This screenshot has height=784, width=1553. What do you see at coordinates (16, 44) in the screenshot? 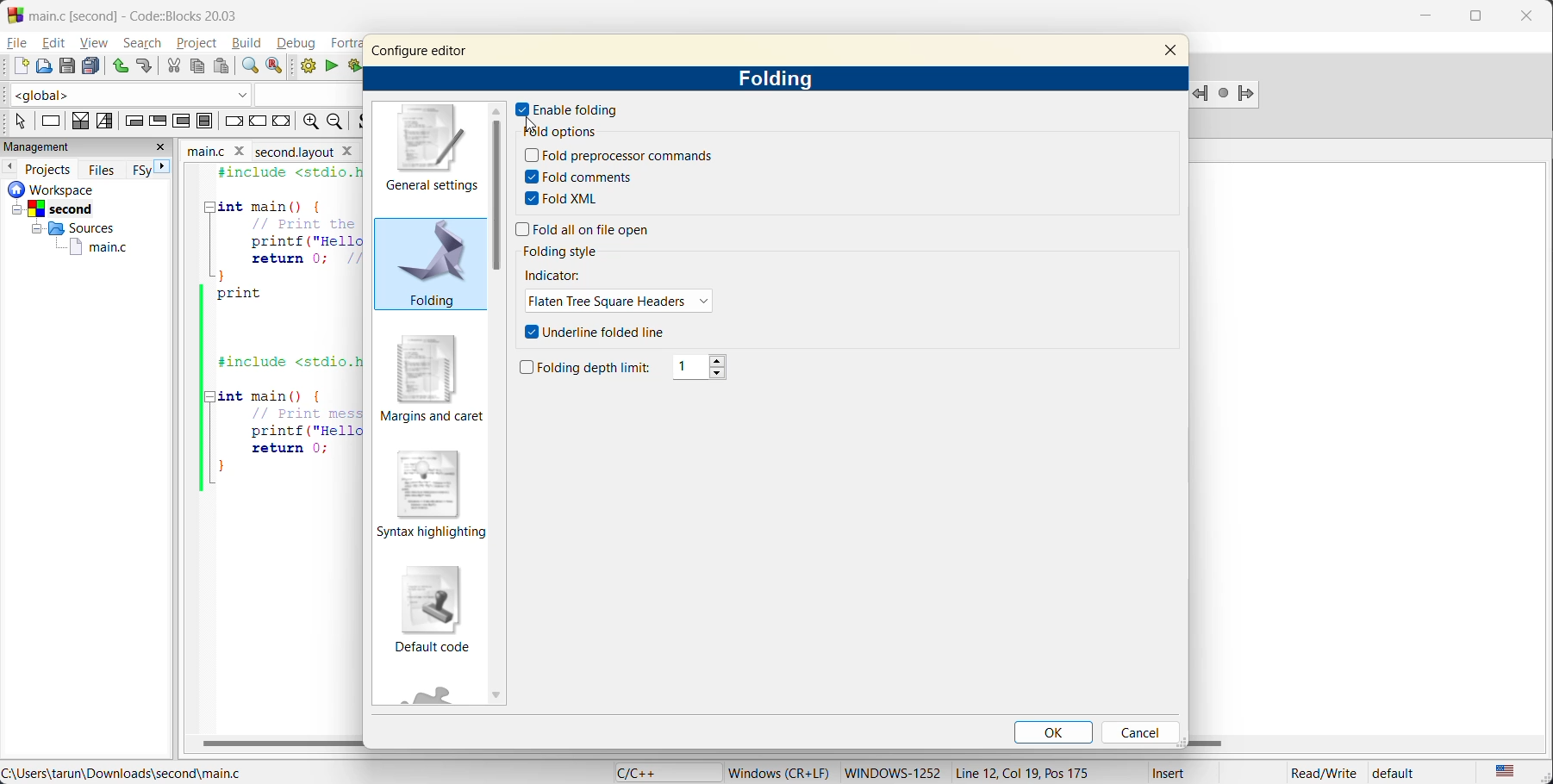
I see `file` at bounding box center [16, 44].